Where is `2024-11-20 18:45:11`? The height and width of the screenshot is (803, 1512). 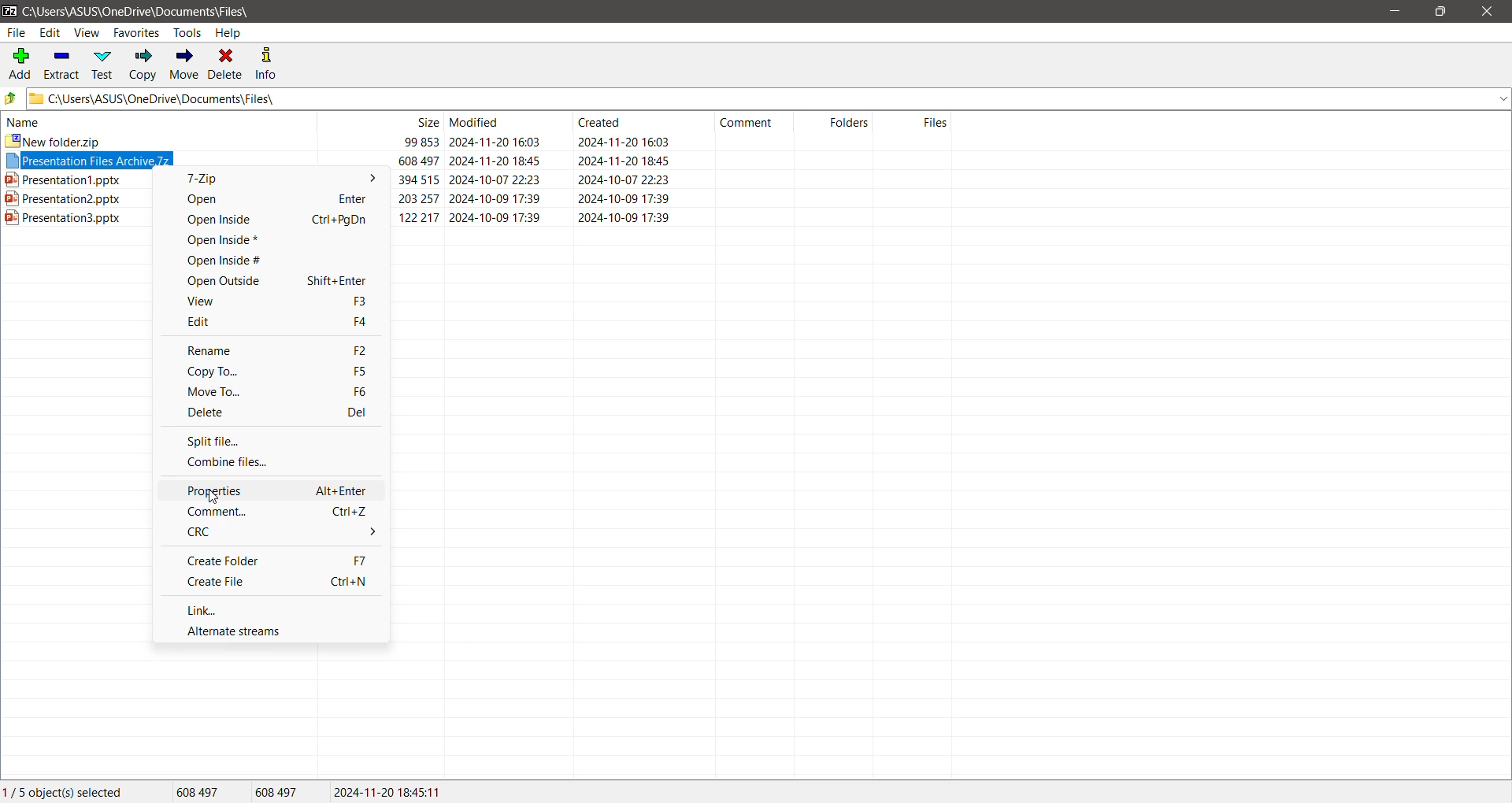 2024-11-20 18:45:11 is located at coordinates (390, 790).